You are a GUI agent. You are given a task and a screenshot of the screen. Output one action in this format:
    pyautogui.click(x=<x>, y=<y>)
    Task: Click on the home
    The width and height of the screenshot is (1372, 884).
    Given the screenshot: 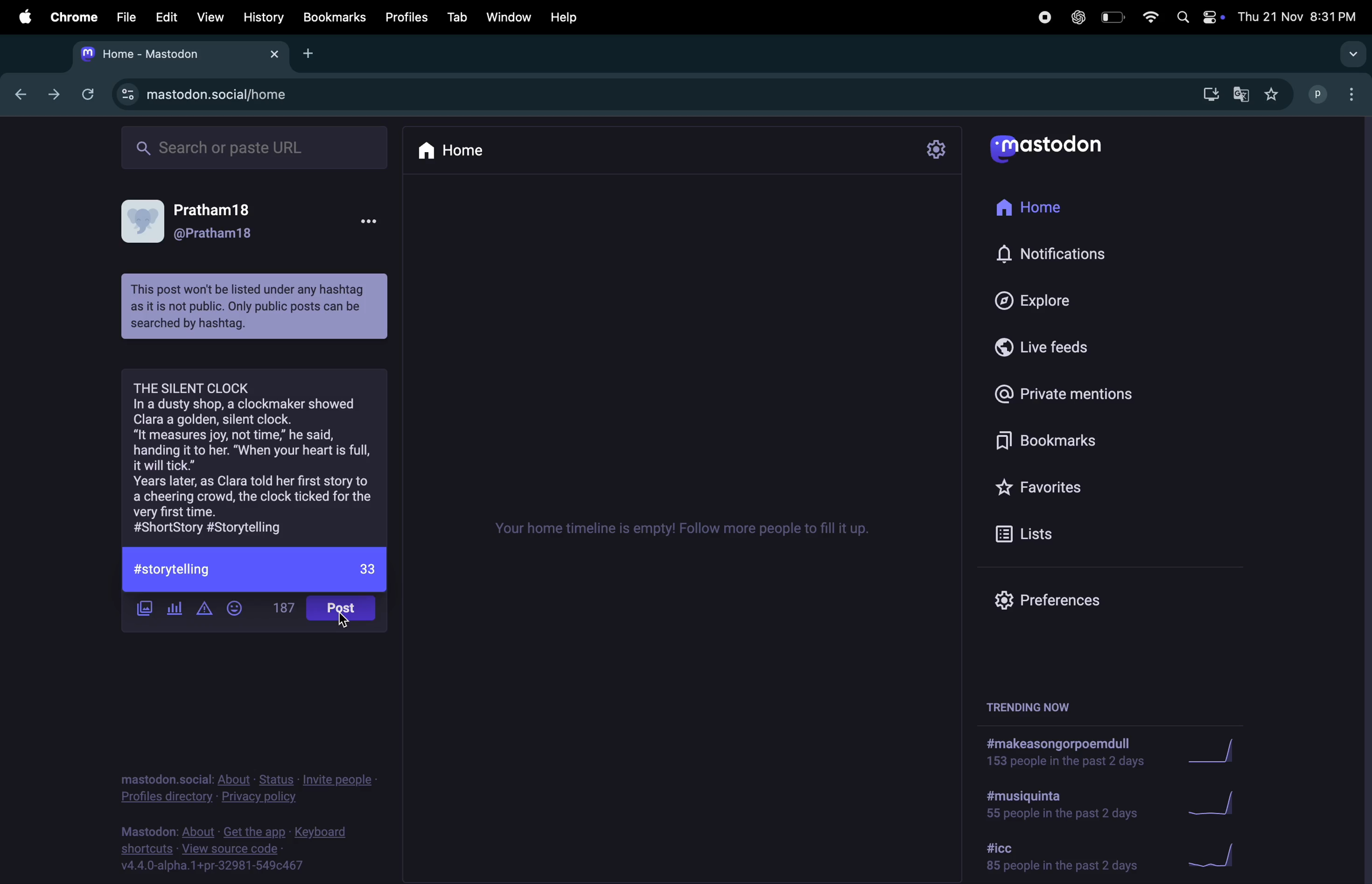 What is the action you would take?
    pyautogui.click(x=482, y=153)
    